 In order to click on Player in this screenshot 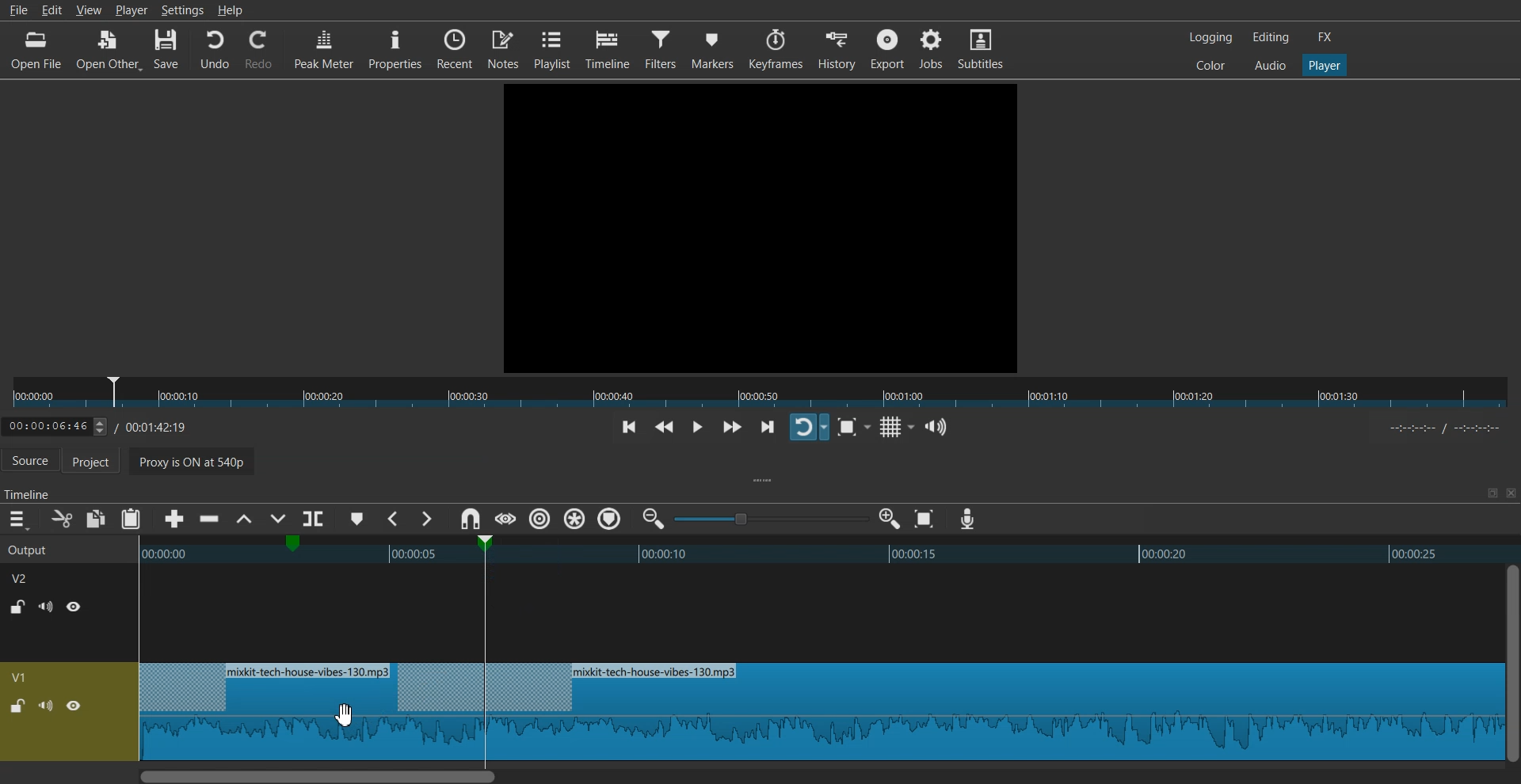, I will do `click(1325, 66)`.